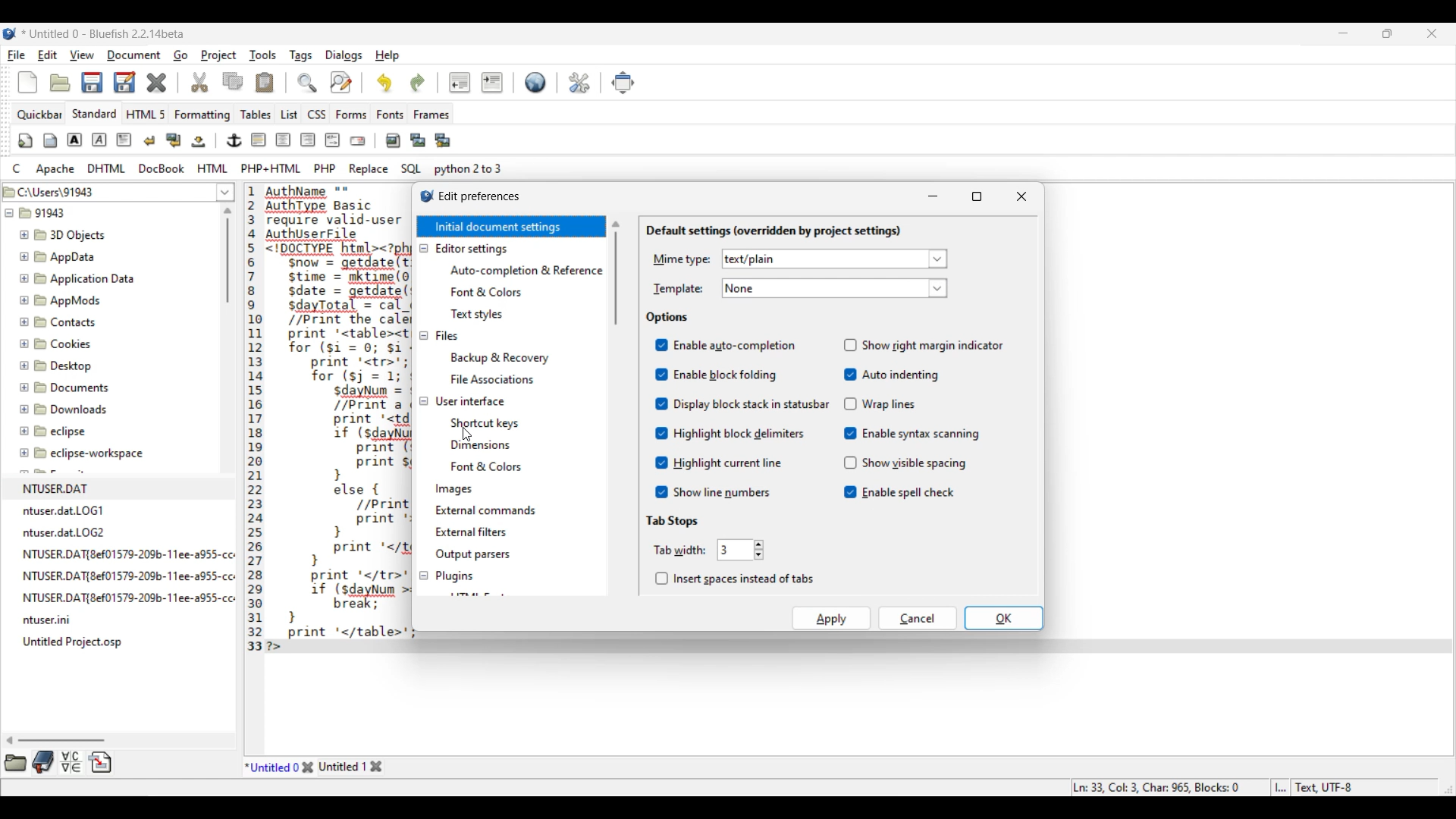 The width and height of the screenshot is (1456, 819). I want to click on Files setting options, so click(526, 368).